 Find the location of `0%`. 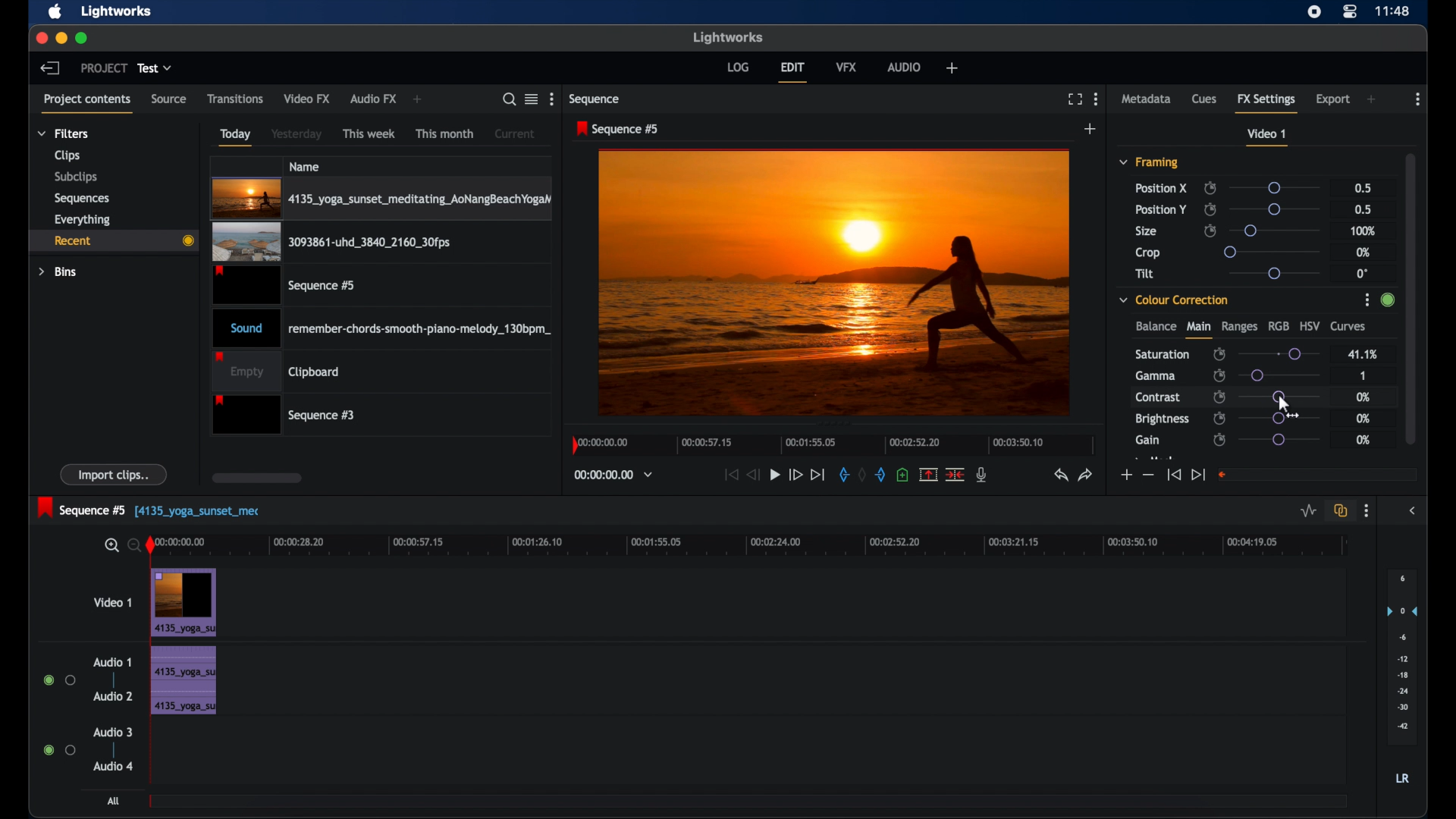

0% is located at coordinates (1361, 398).